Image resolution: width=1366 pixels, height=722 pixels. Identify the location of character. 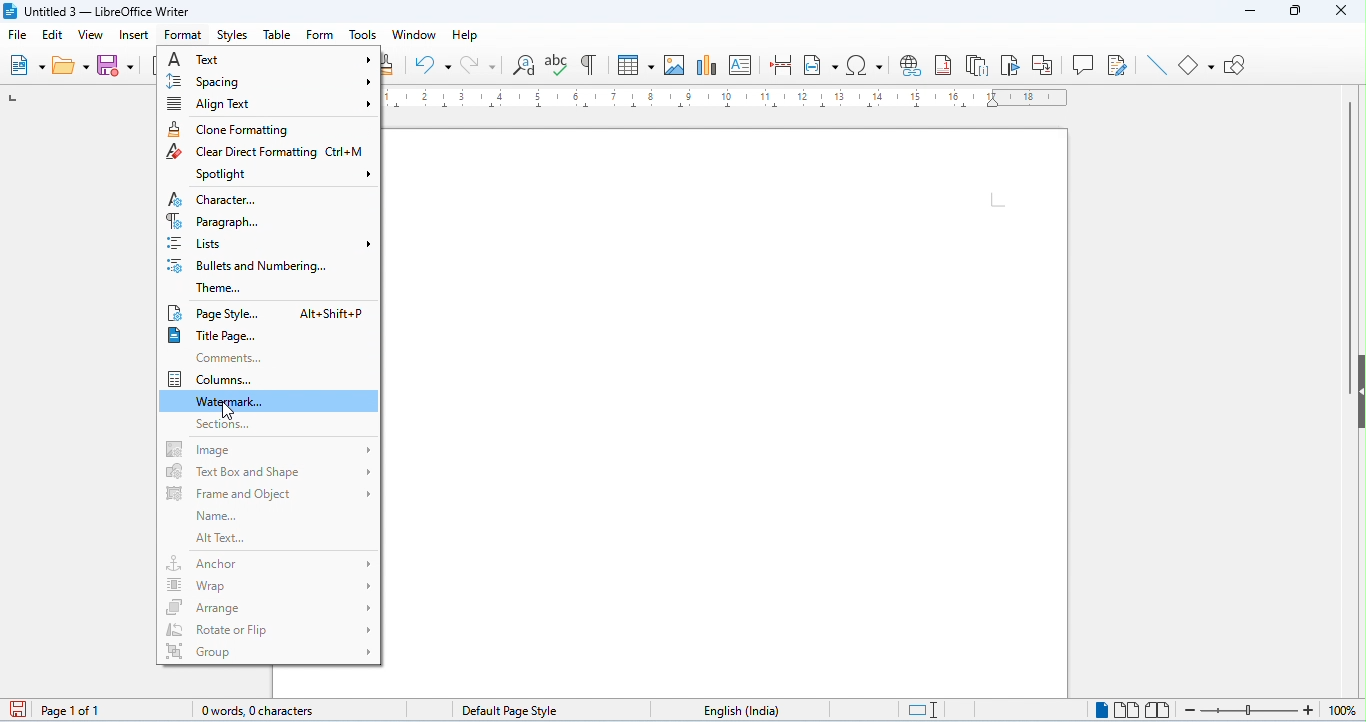
(215, 200).